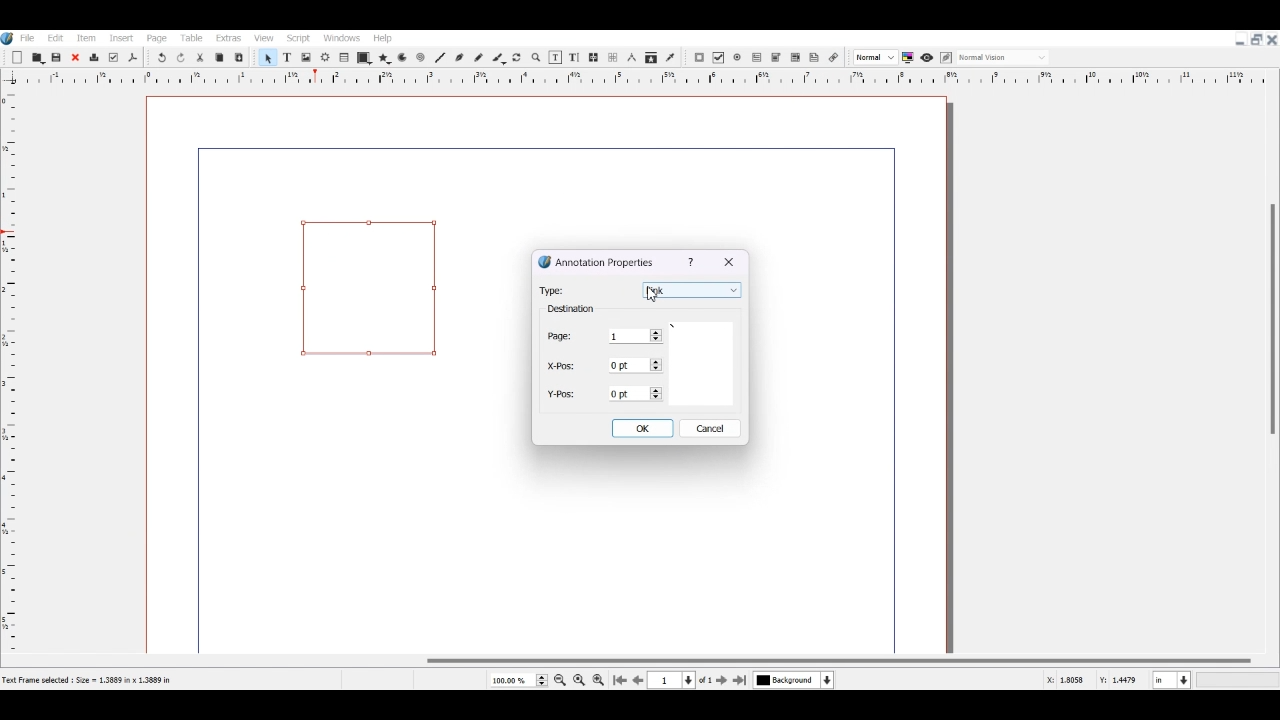  What do you see at coordinates (84, 38) in the screenshot?
I see `Item` at bounding box center [84, 38].